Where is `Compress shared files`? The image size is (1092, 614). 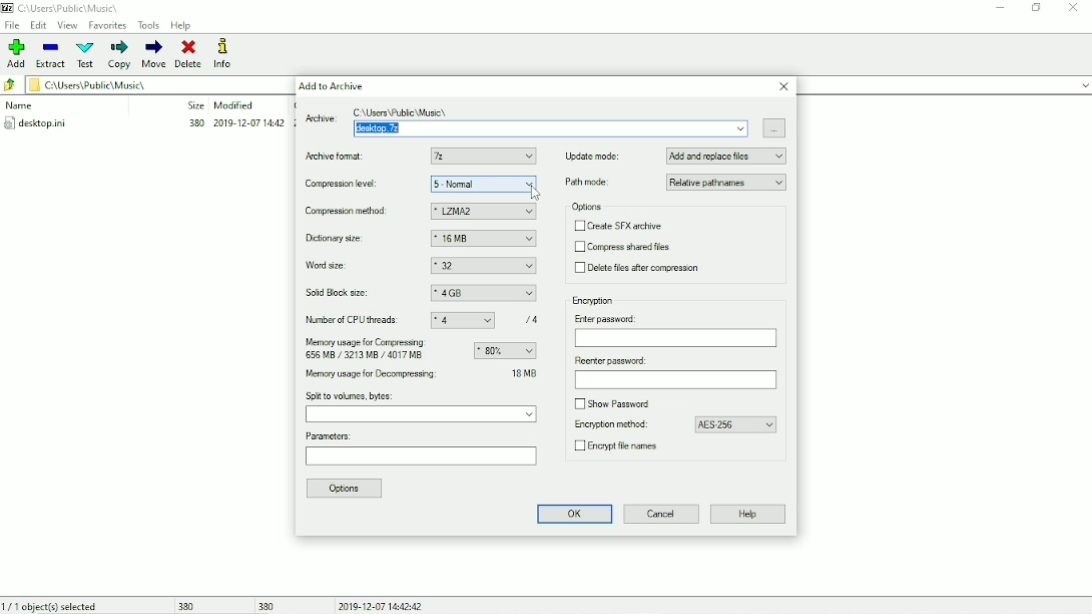 Compress shared files is located at coordinates (624, 247).